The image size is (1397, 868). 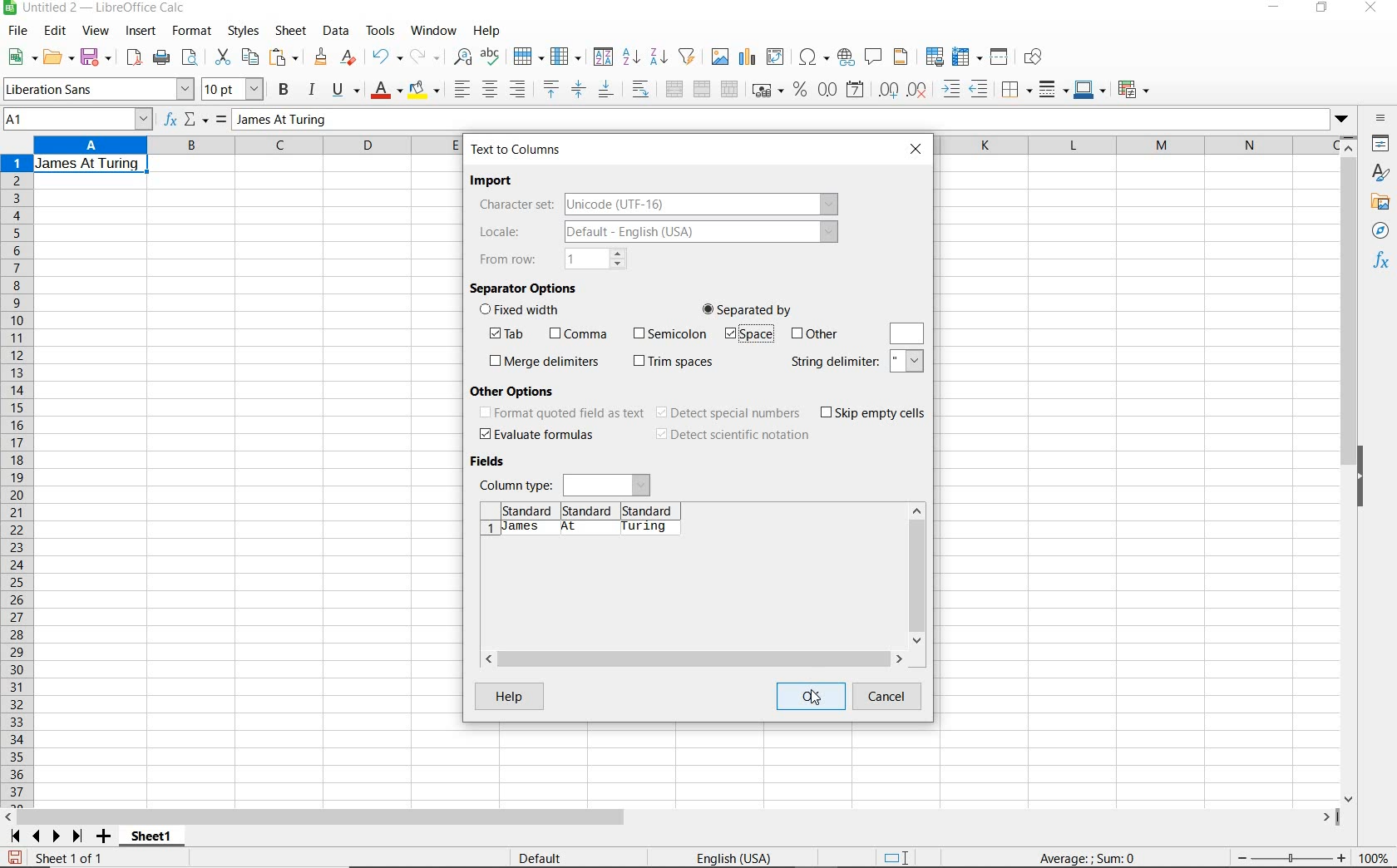 I want to click on horizontal scroll bar, so click(x=693, y=656).